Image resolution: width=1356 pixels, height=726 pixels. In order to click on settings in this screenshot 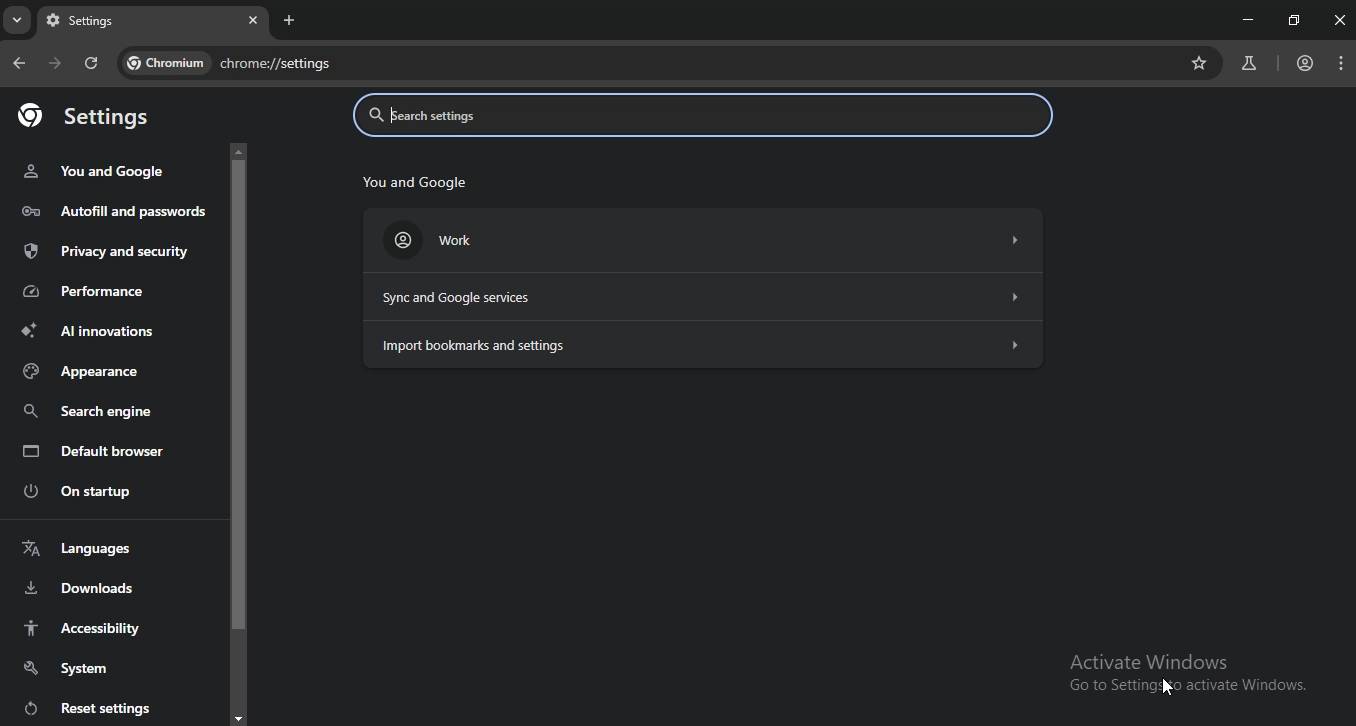, I will do `click(90, 116)`.